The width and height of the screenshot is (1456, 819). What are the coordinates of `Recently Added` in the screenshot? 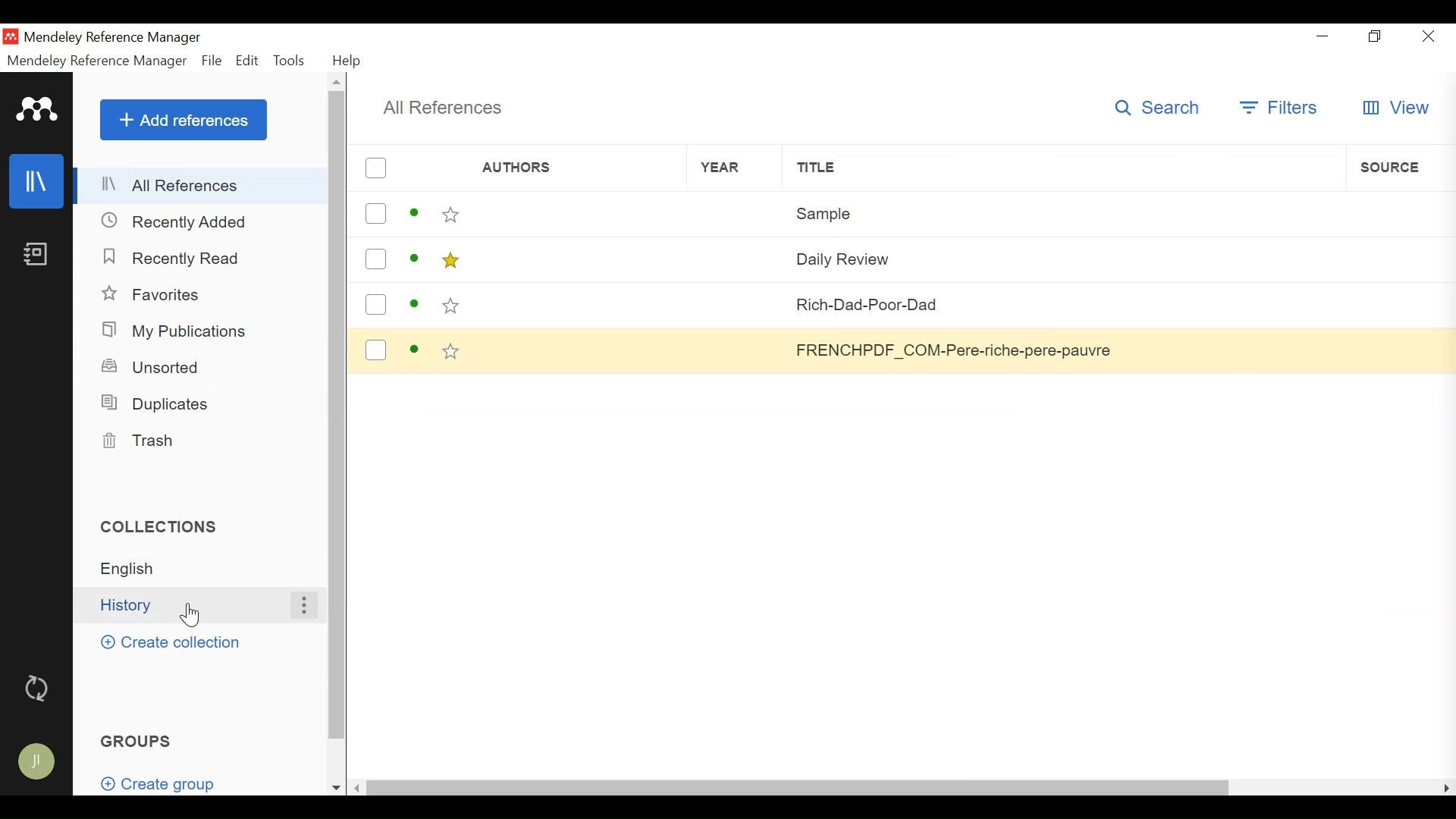 It's located at (174, 221).